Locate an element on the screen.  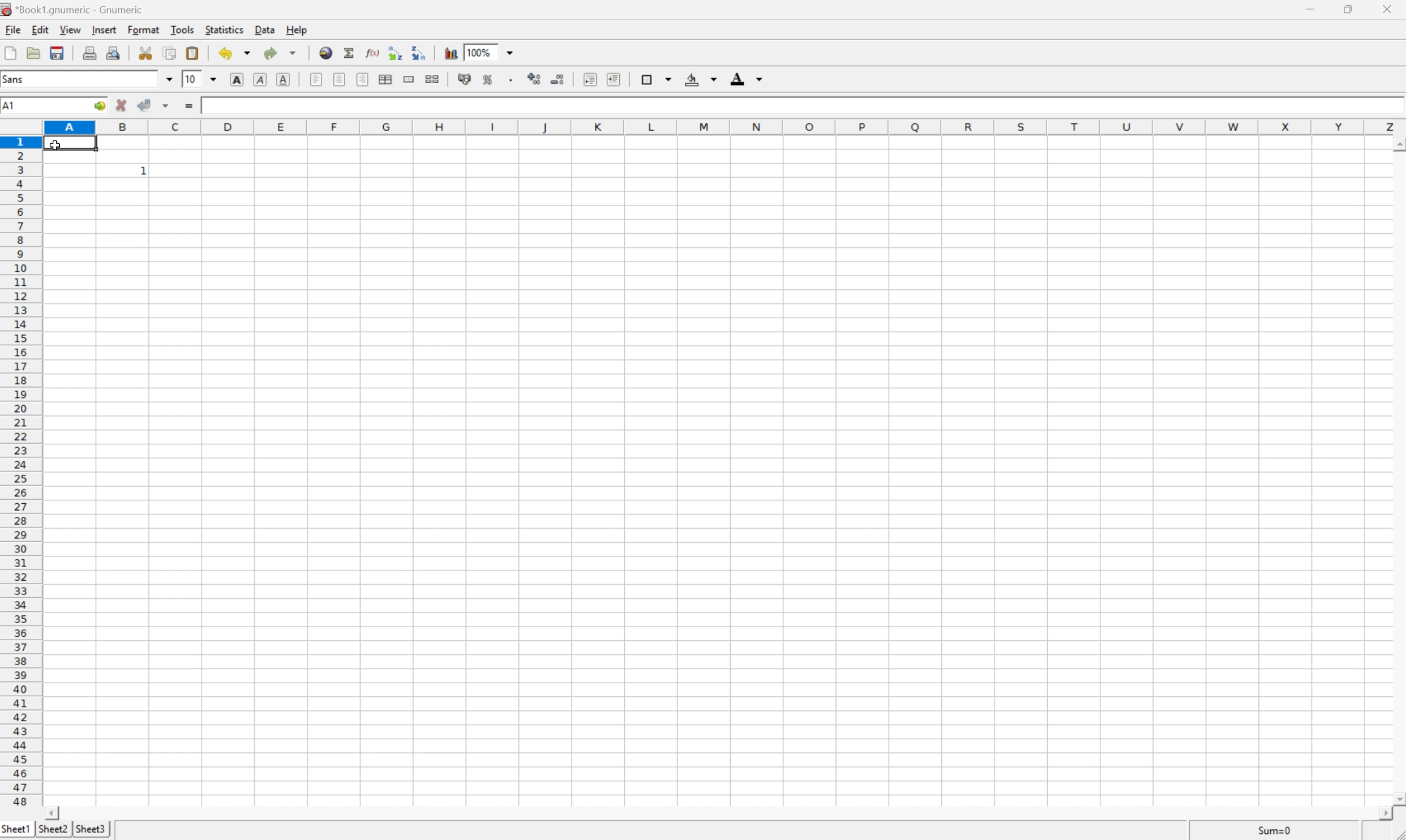
cursor on cell A1 is located at coordinates (71, 144).